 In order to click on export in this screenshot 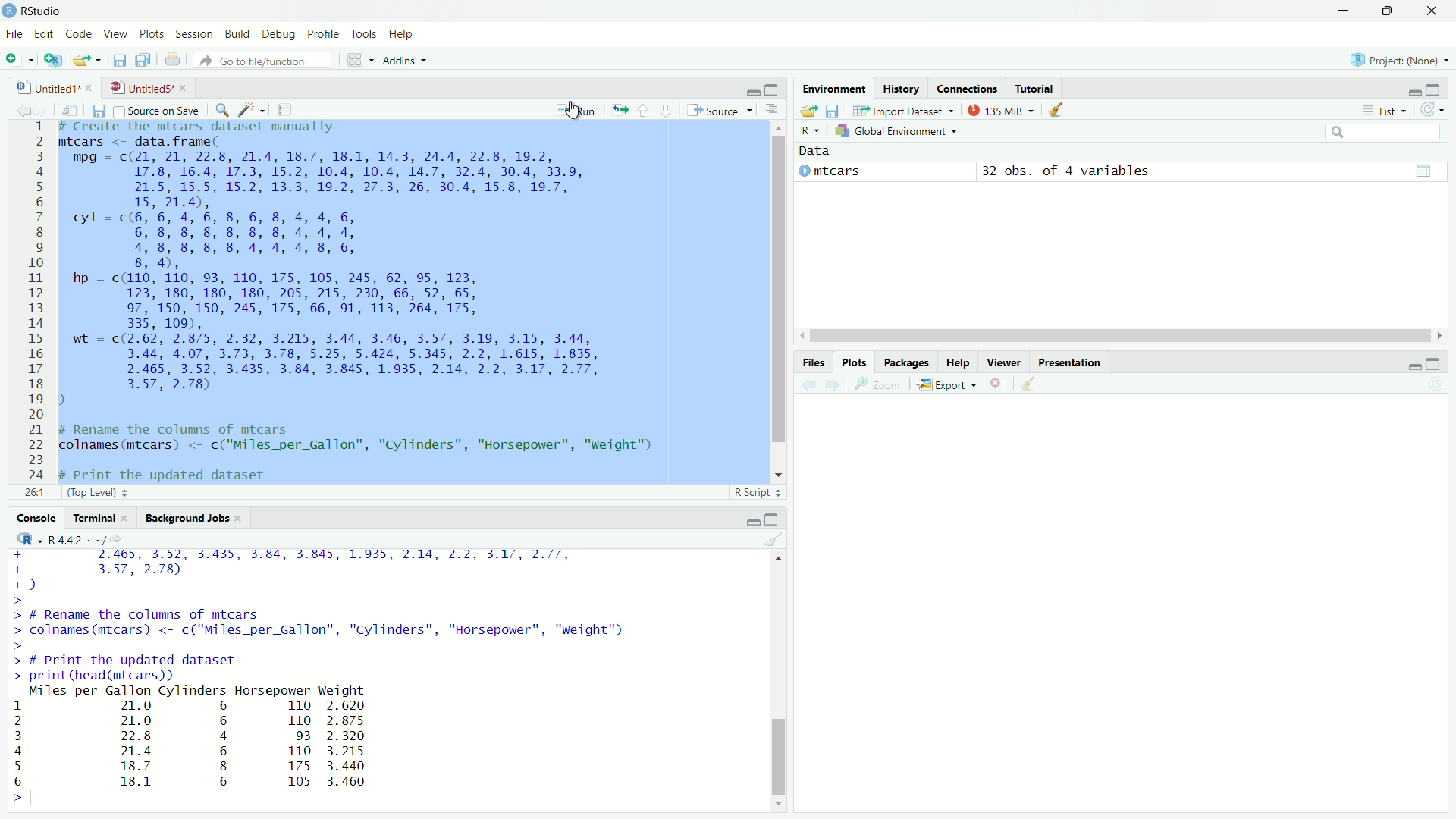, I will do `click(86, 63)`.